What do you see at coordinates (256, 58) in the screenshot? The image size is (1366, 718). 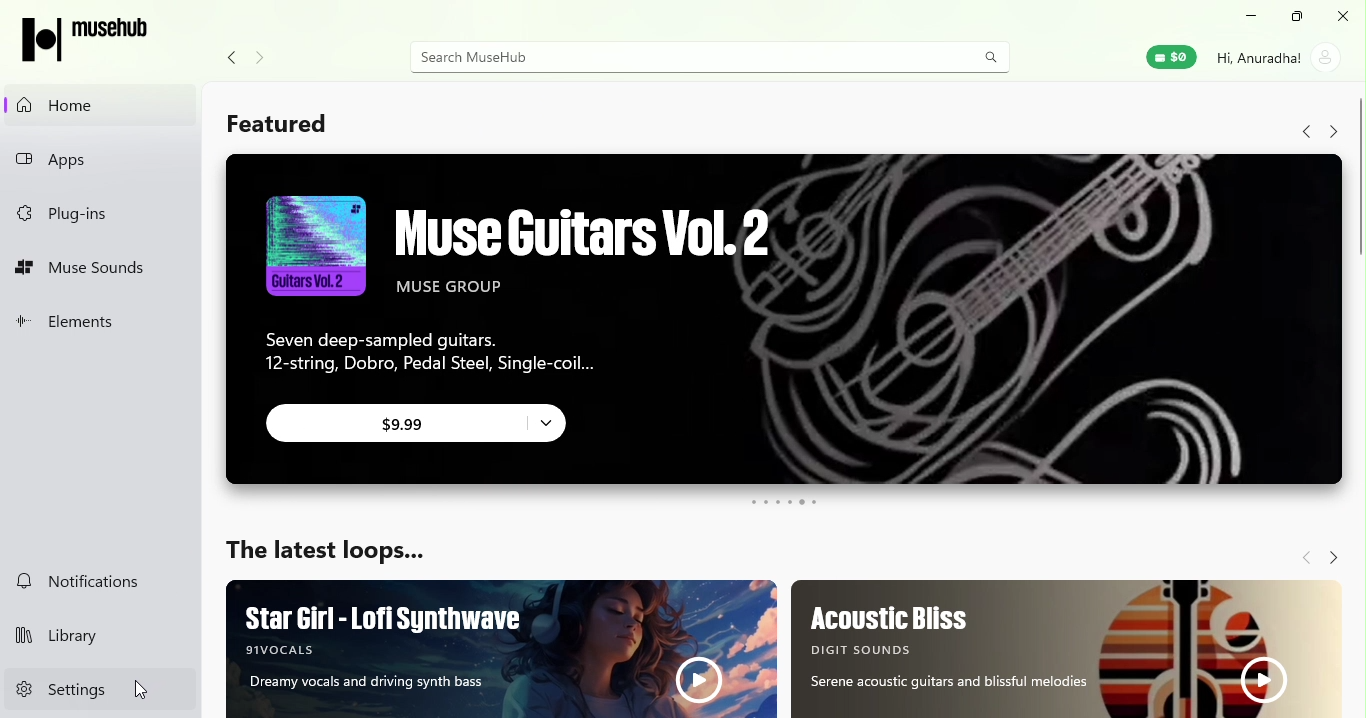 I see `Navigate forward` at bounding box center [256, 58].